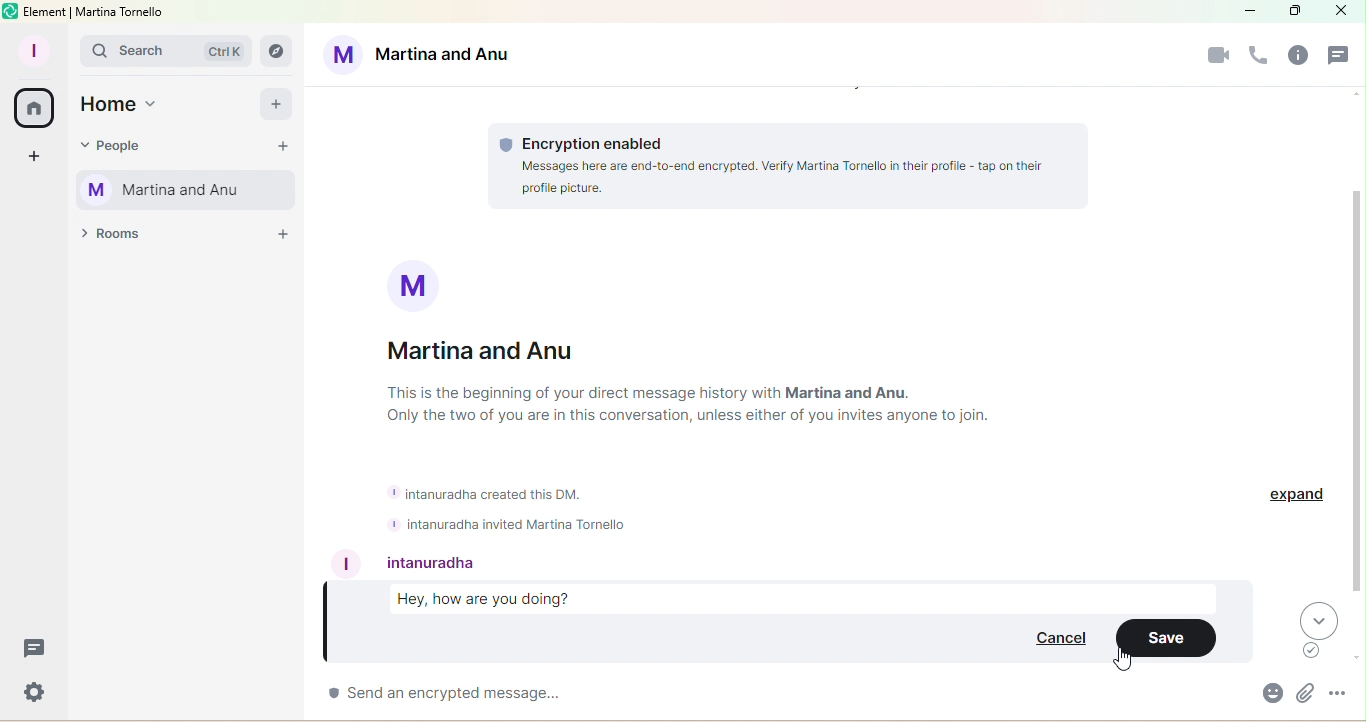 The image size is (1366, 722). I want to click on Martina and Anu, so click(422, 52).